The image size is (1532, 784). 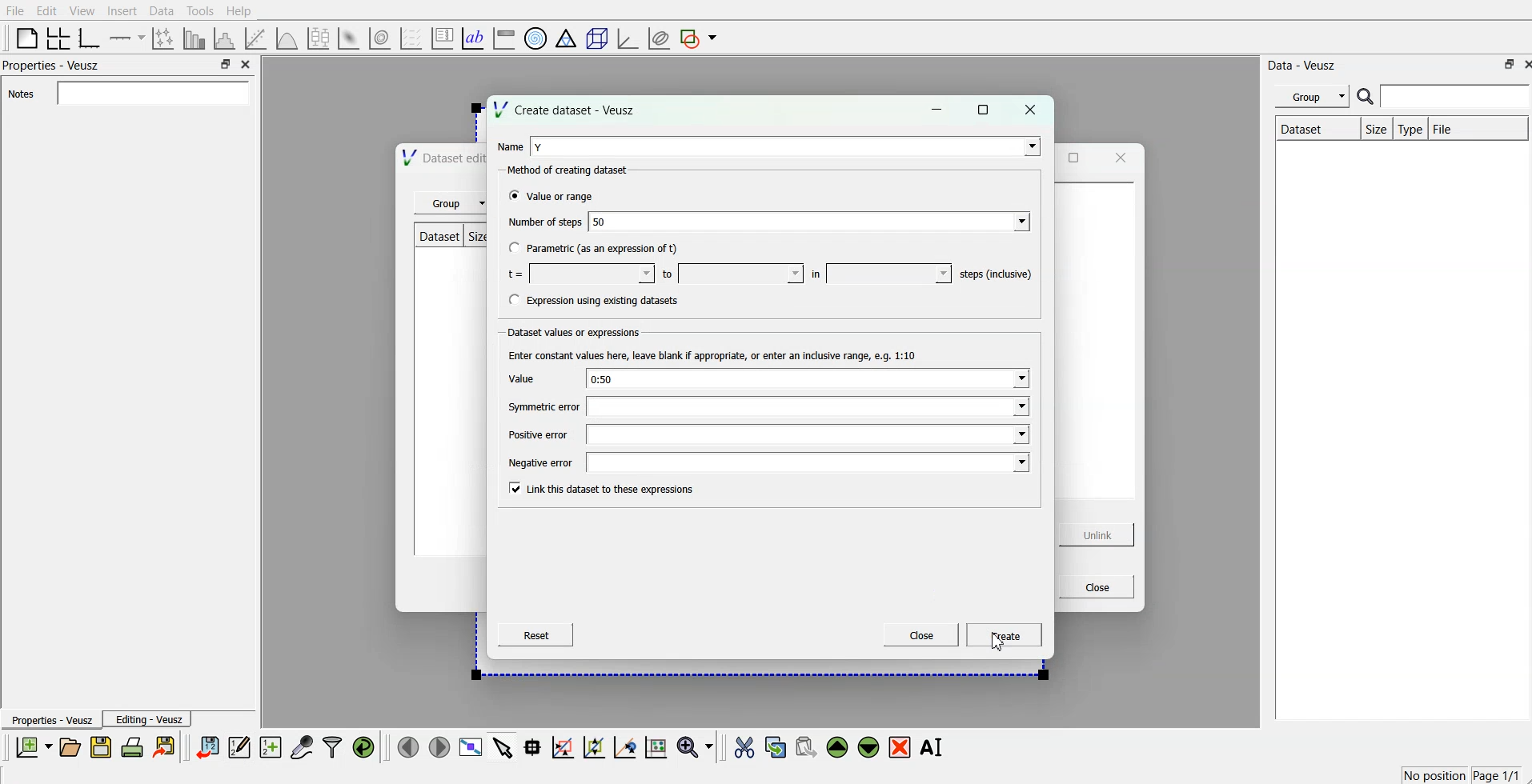 What do you see at coordinates (590, 271) in the screenshot?
I see `min t value field` at bounding box center [590, 271].